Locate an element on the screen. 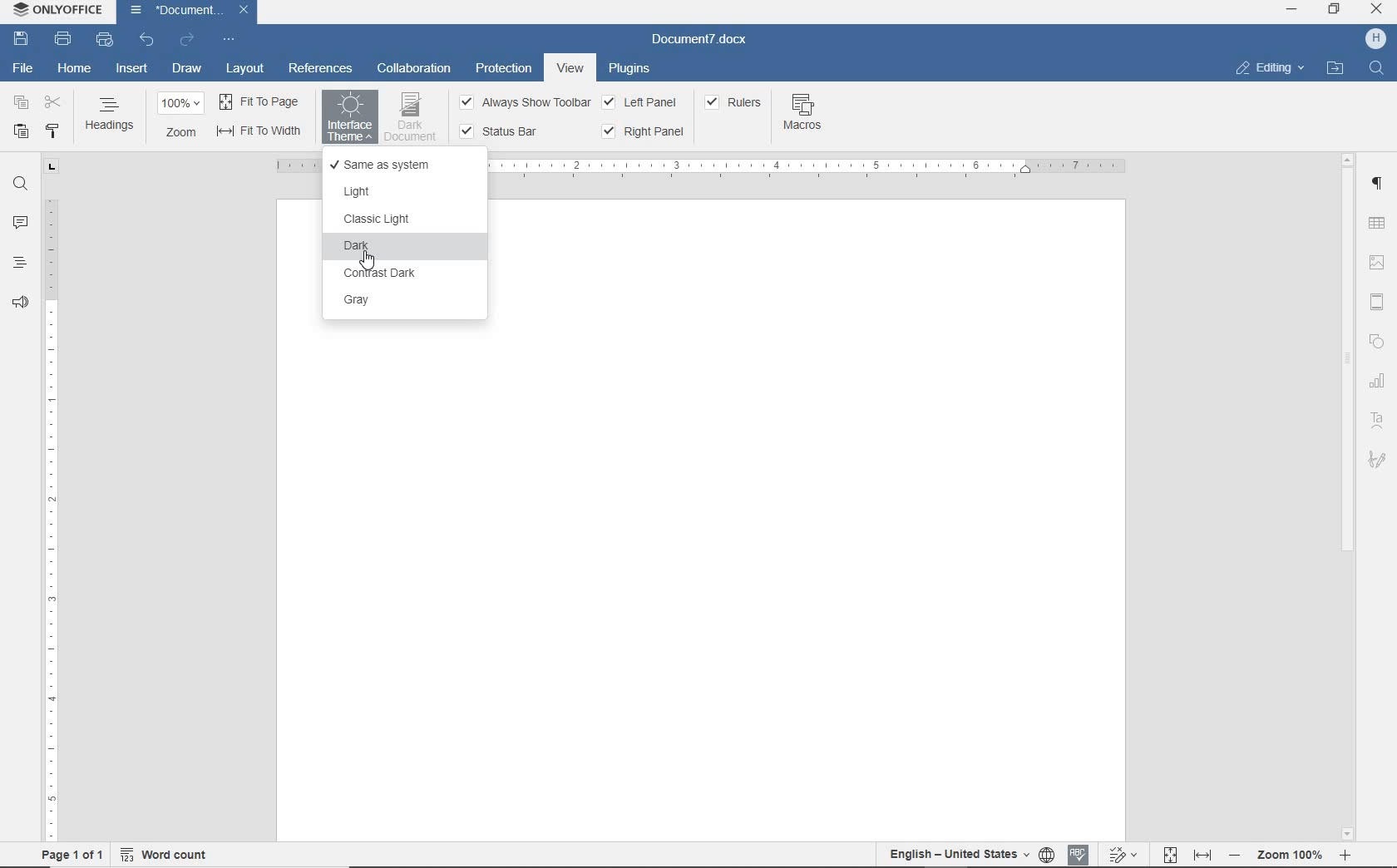 Image resolution: width=1397 pixels, height=868 pixels. HOME is located at coordinates (77, 67).